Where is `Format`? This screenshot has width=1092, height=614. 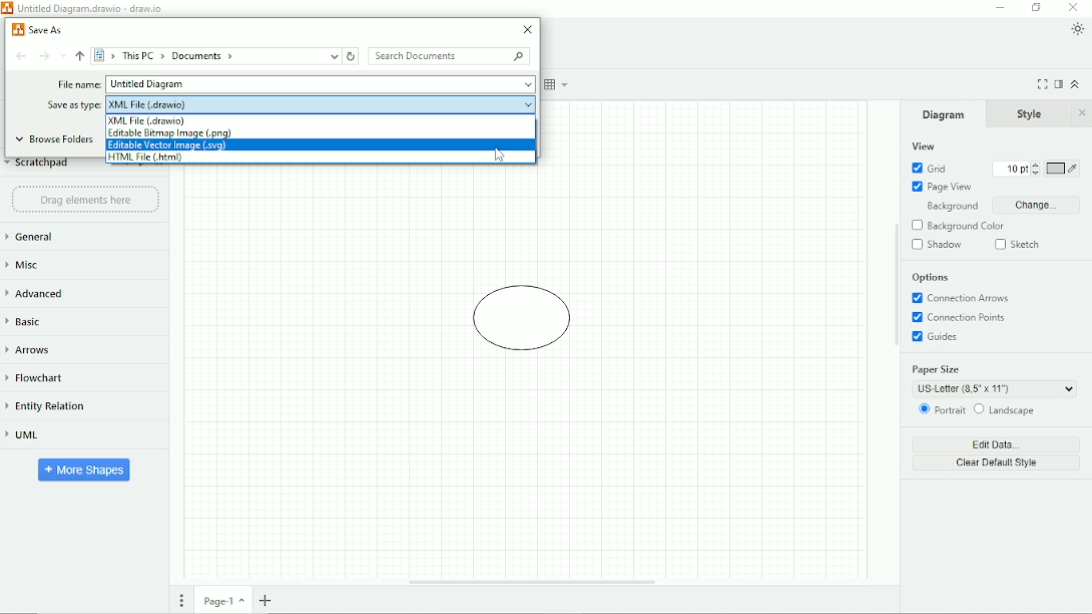
Format is located at coordinates (1058, 85).